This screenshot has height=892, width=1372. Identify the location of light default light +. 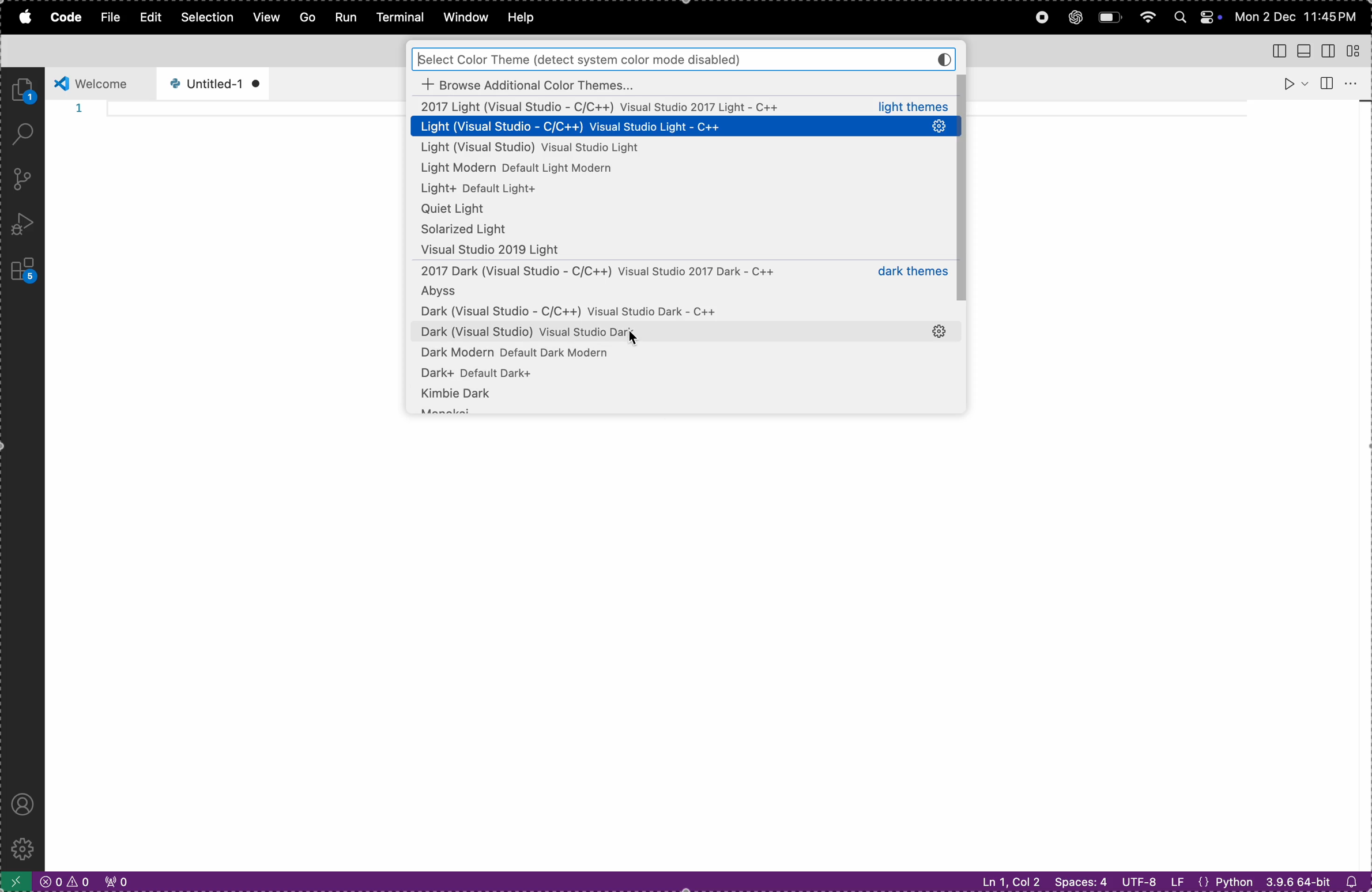
(551, 190).